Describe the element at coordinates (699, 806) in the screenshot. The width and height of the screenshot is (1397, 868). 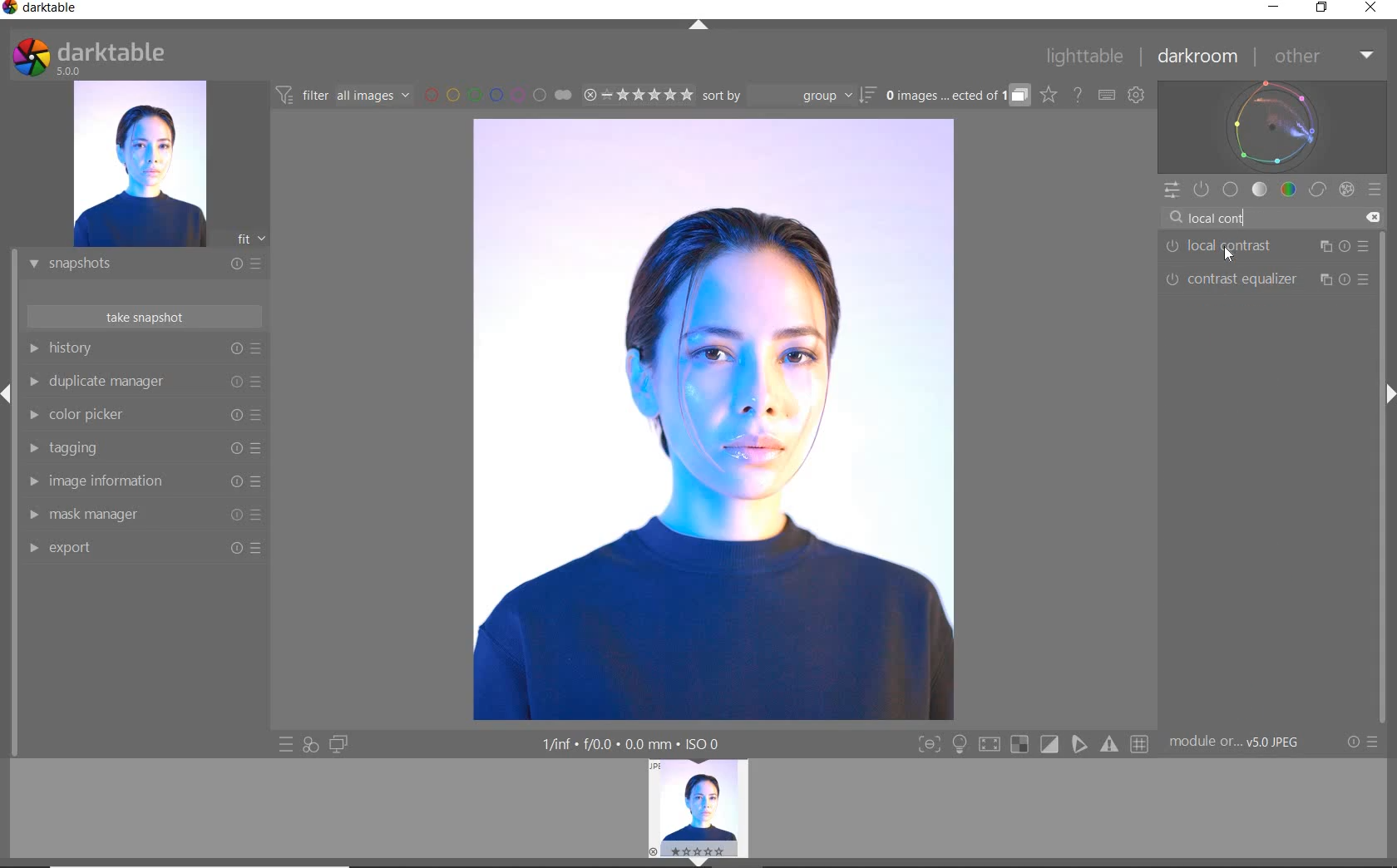
I see `IMAGE PREVIEW` at that location.